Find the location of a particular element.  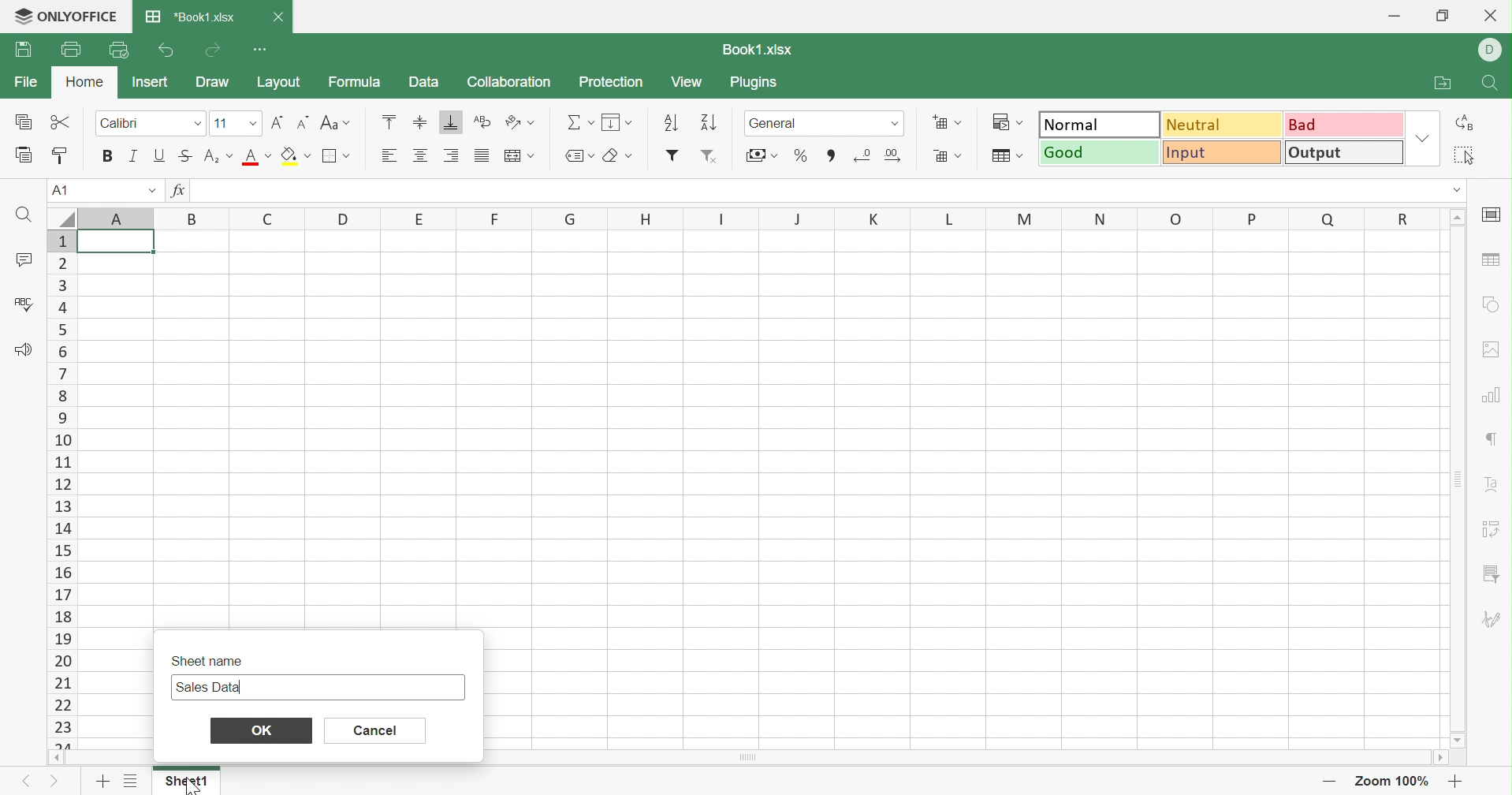

Strikethrough is located at coordinates (184, 155).